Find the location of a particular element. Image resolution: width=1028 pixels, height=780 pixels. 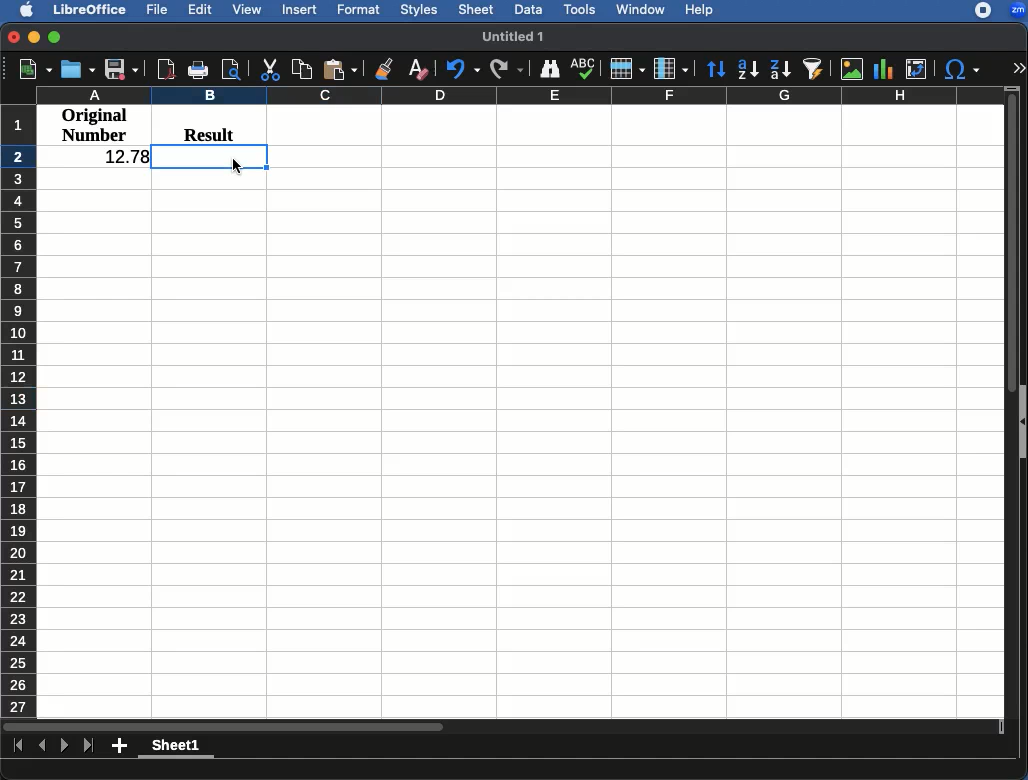

Format is located at coordinates (359, 9).